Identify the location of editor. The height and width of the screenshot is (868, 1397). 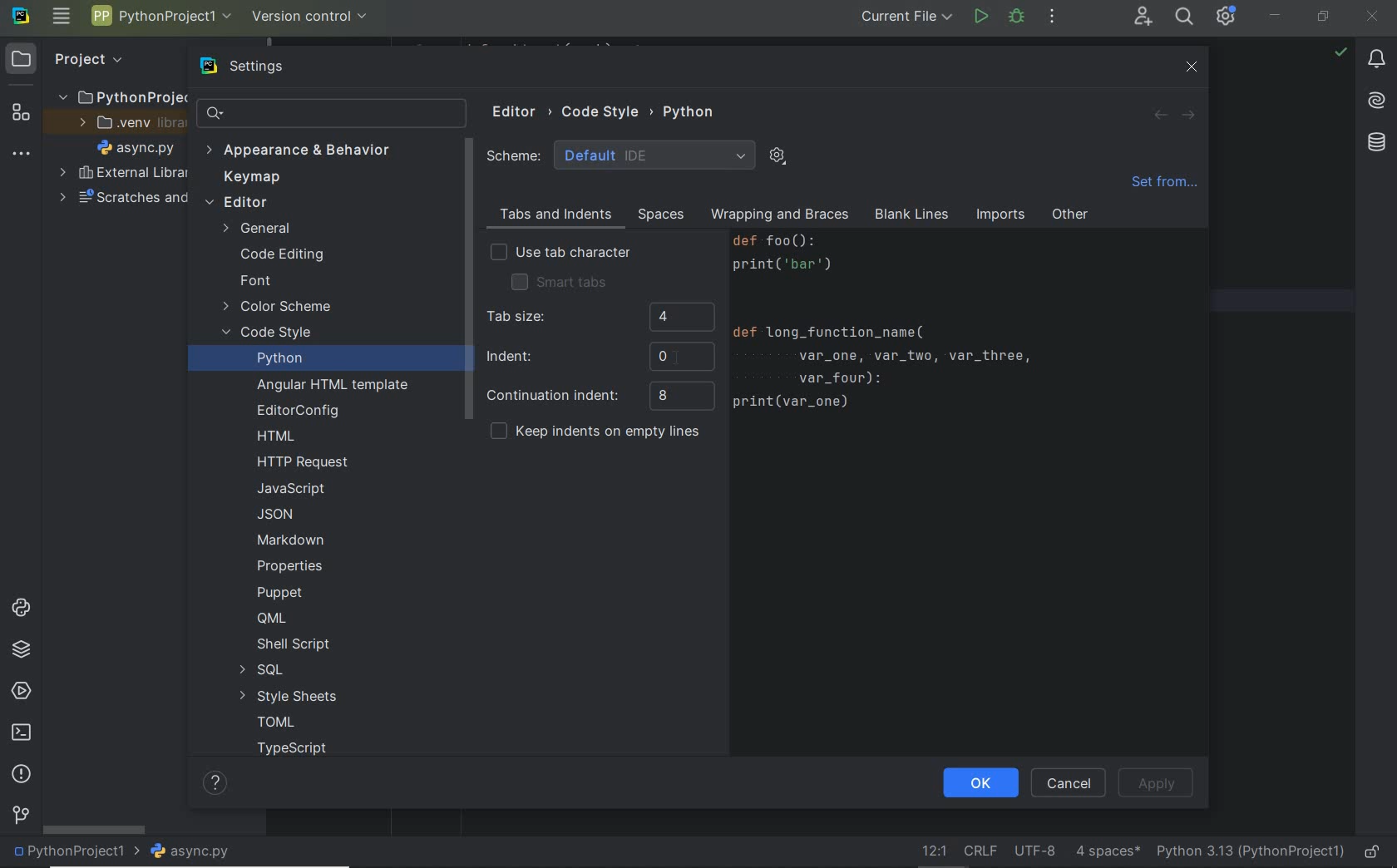
(236, 204).